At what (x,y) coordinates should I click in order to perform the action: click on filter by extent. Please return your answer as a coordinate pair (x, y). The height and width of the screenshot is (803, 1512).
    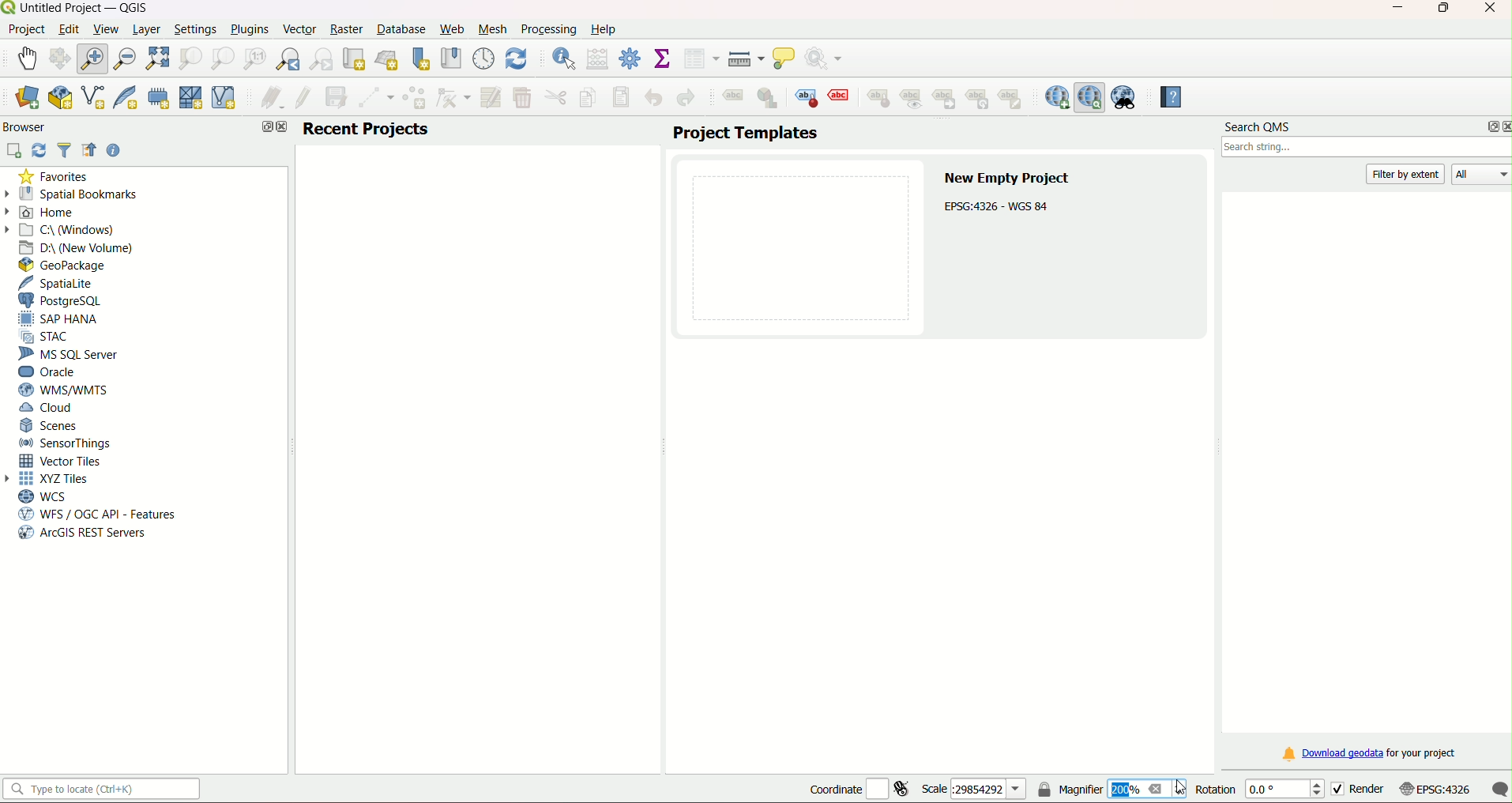
    Looking at the image, I should click on (1407, 174).